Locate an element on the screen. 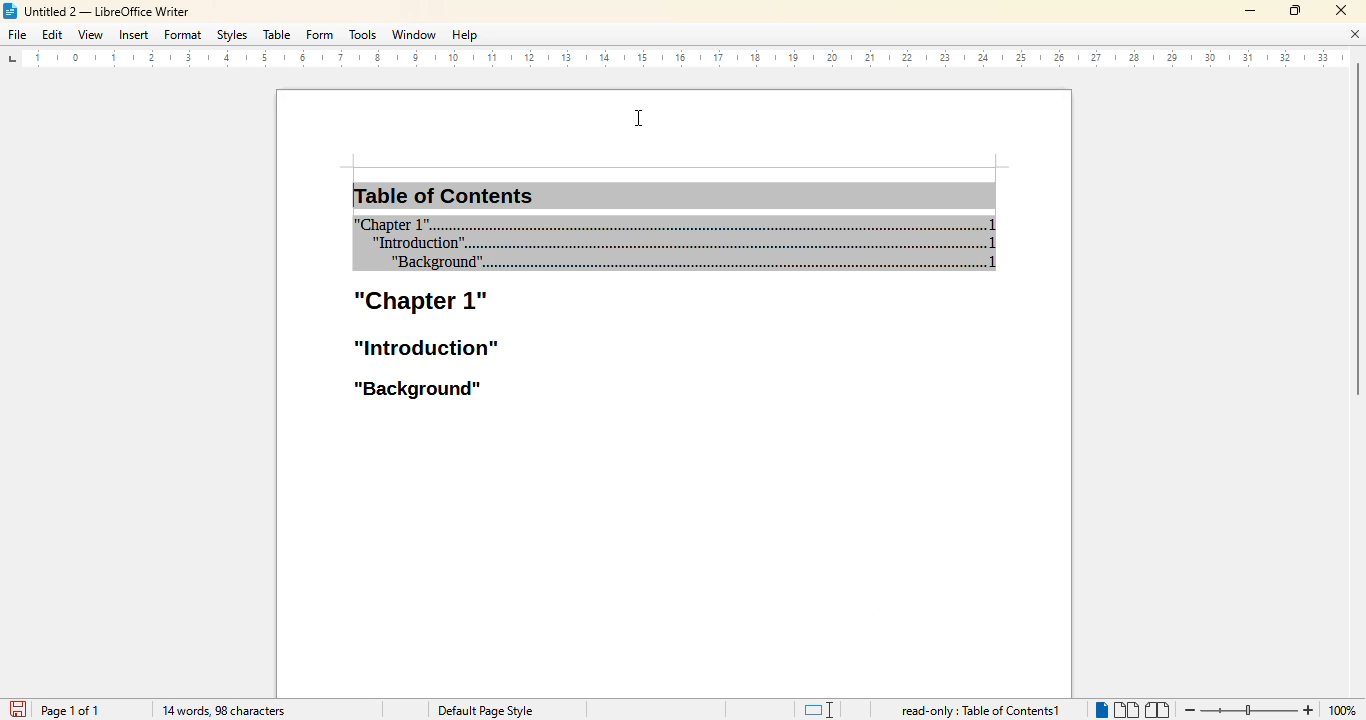  file is located at coordinates (17, 34).